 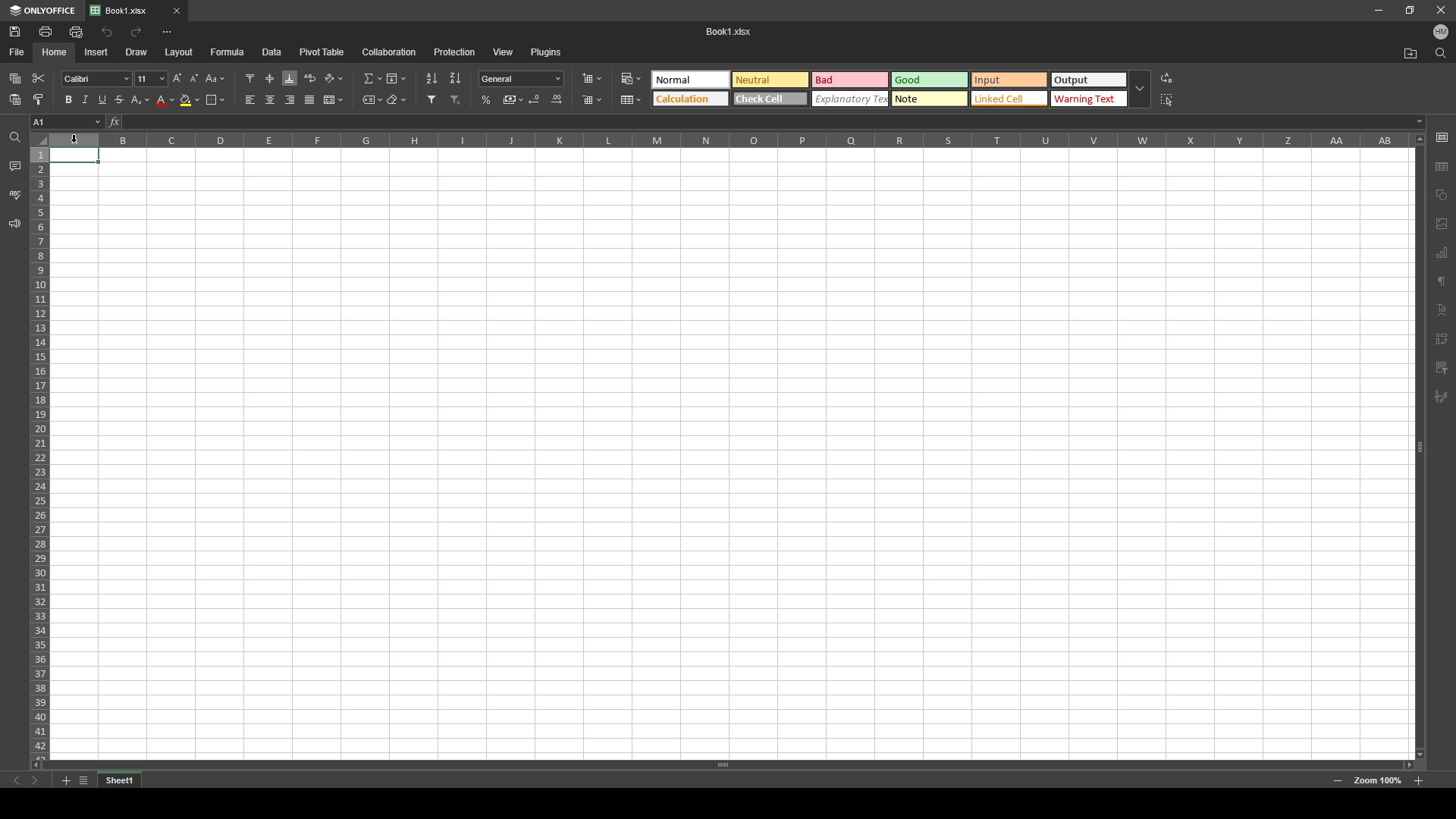 I want to click on zoom, so click(x=1378, y=781).